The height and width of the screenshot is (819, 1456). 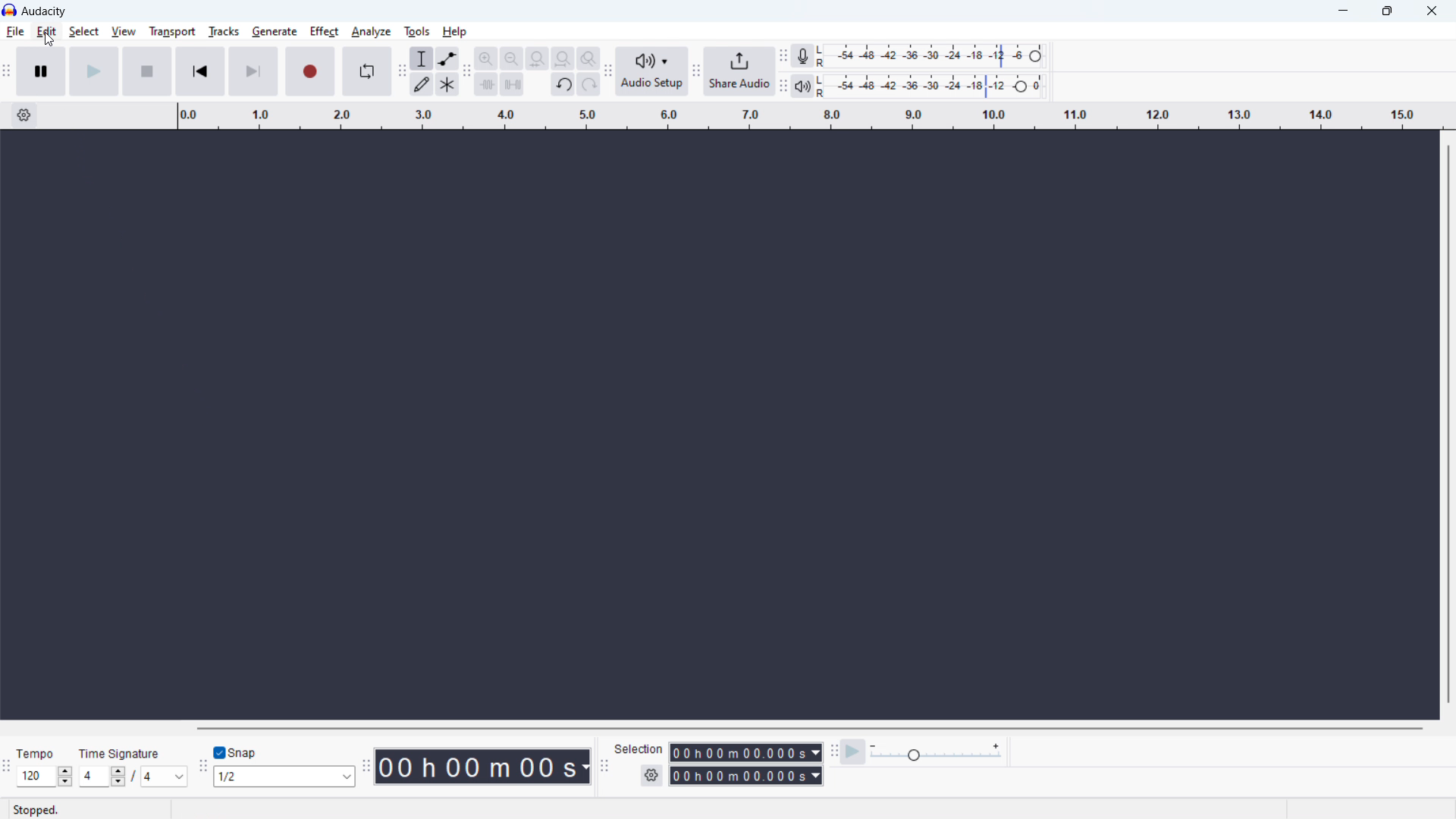 What do you see at coordinates (608, 71) in the screenshot?
I see `Enables movement of audio setup toolbar` at bounding box center [608, 71].